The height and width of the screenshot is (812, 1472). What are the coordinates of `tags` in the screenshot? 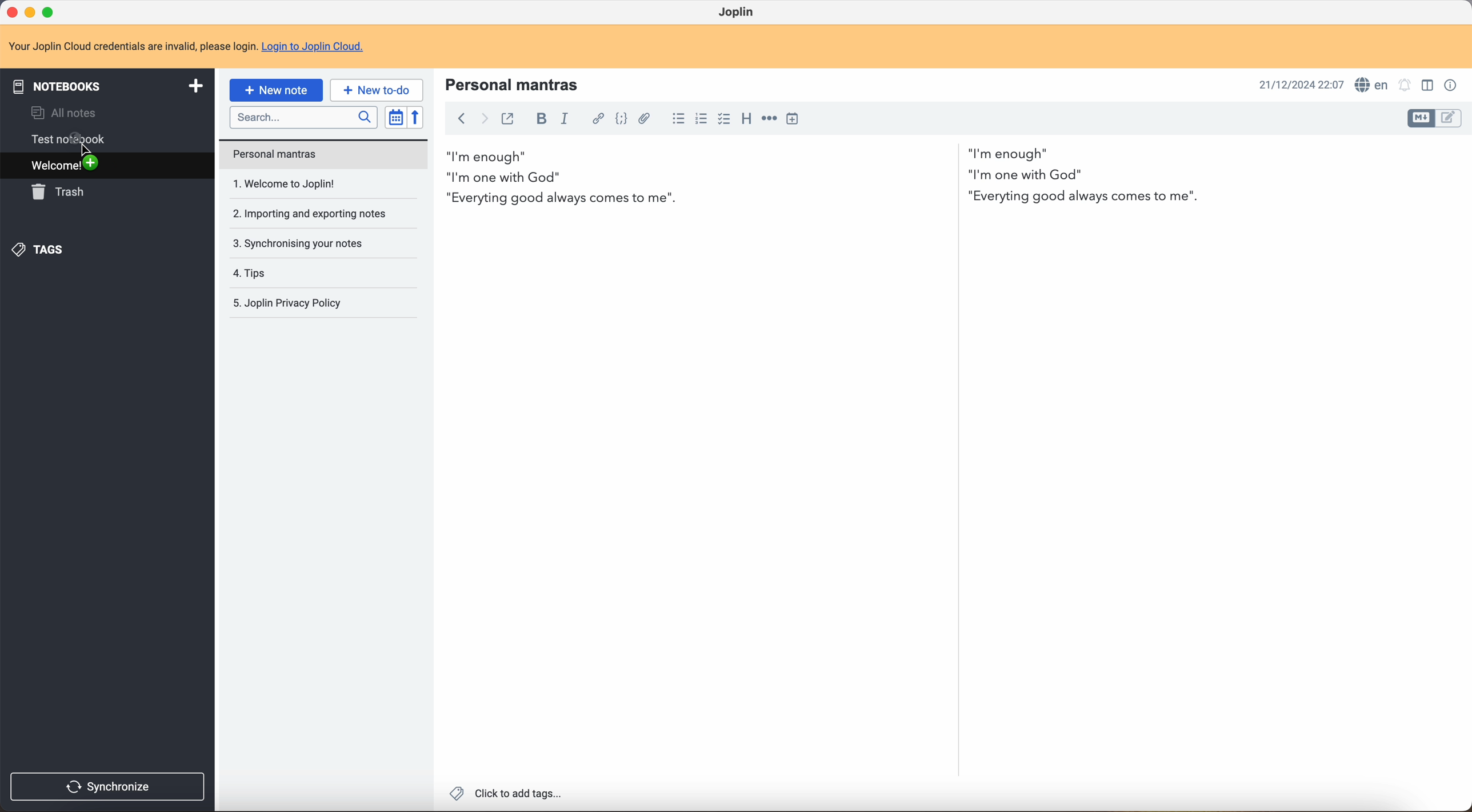 It's located at (43, 252).